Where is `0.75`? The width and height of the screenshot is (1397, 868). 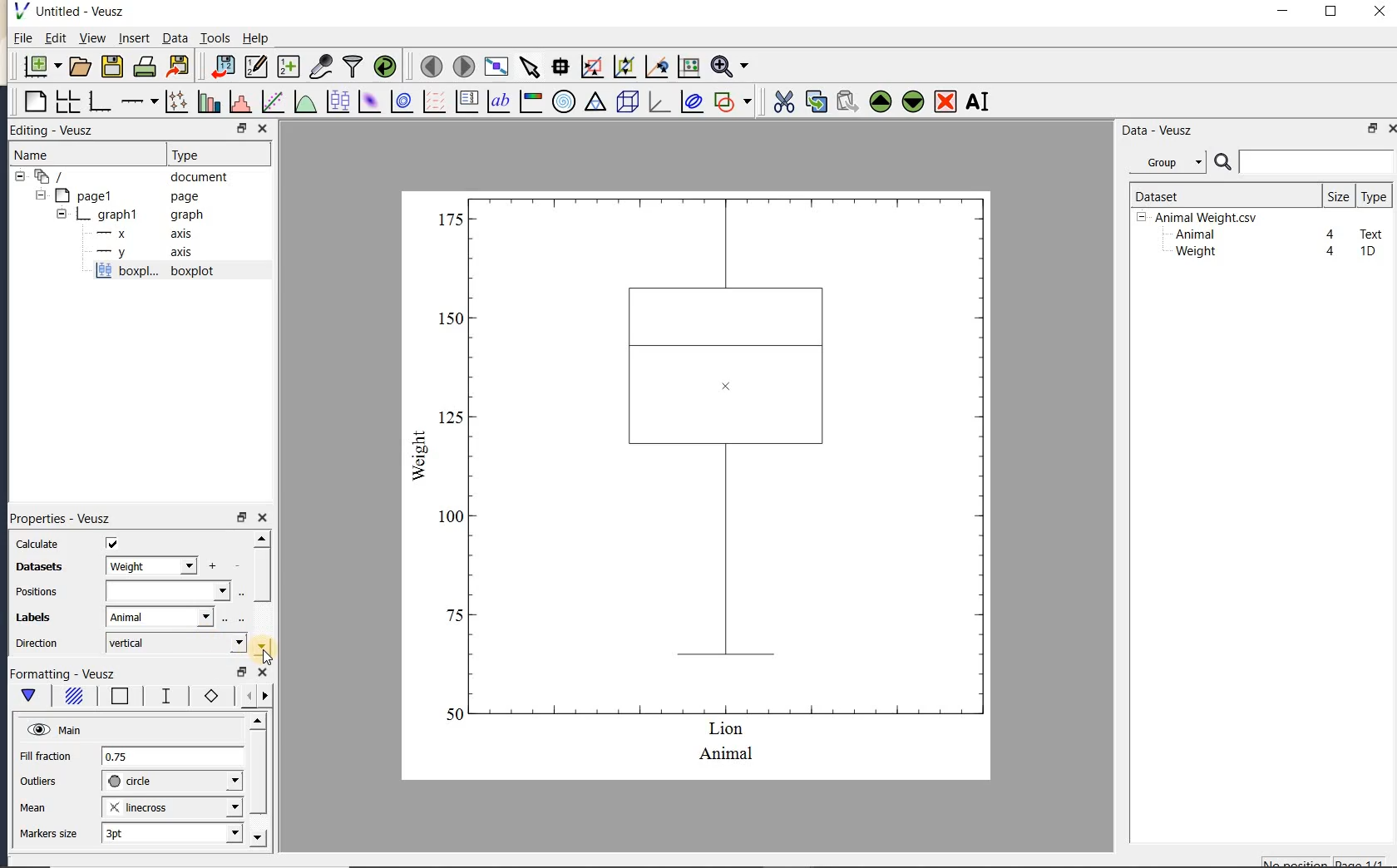 0.75 is located at coordinates (172, 757).